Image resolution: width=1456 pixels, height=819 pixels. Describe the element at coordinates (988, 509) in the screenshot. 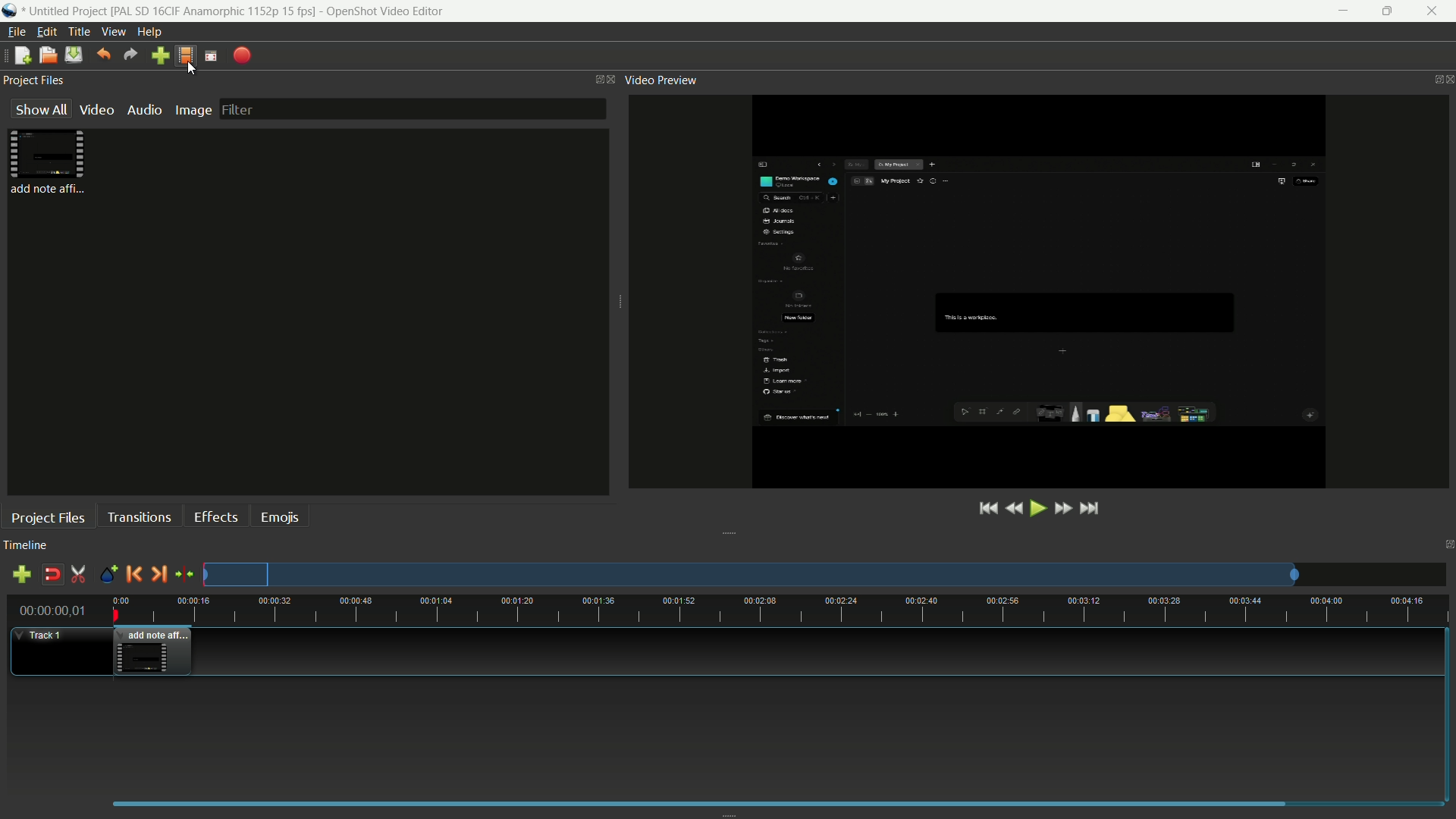

I see `jump to start` at that location.